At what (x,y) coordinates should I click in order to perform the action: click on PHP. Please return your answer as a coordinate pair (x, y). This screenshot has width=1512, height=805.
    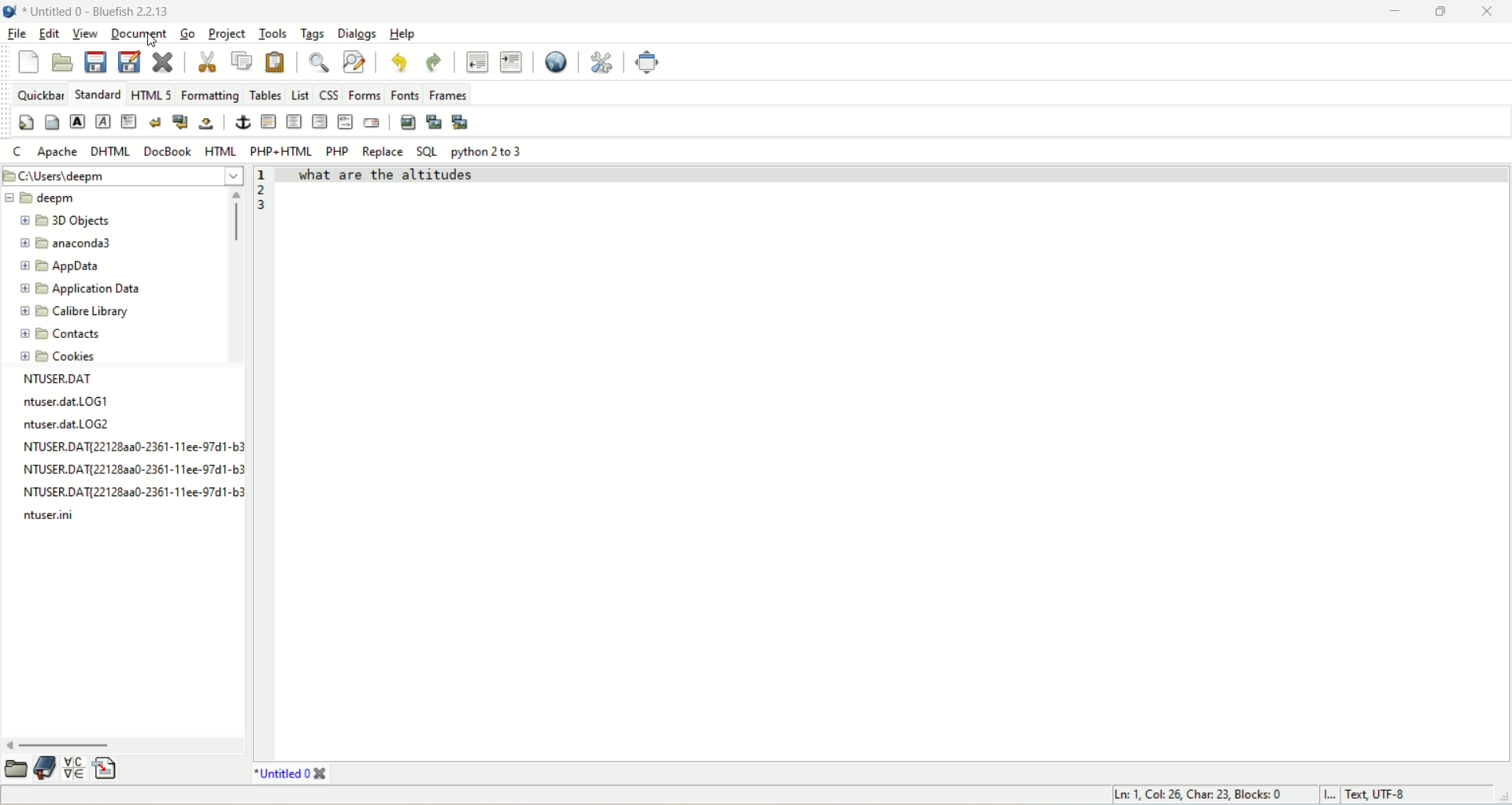
    Looking at the image, I should click on (339, 150).